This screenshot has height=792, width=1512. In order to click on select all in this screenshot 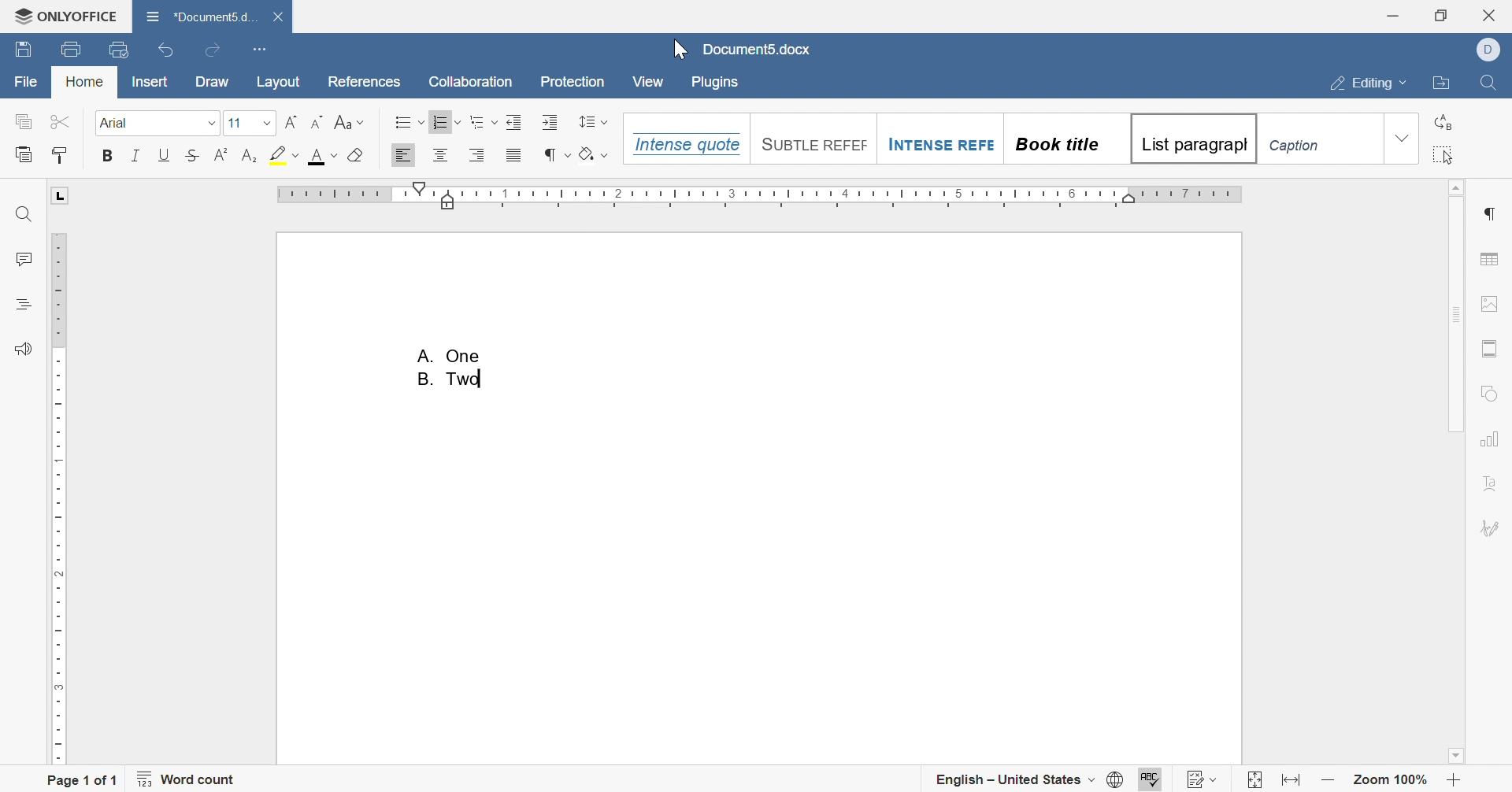, I will do `click(1444, 154)`.